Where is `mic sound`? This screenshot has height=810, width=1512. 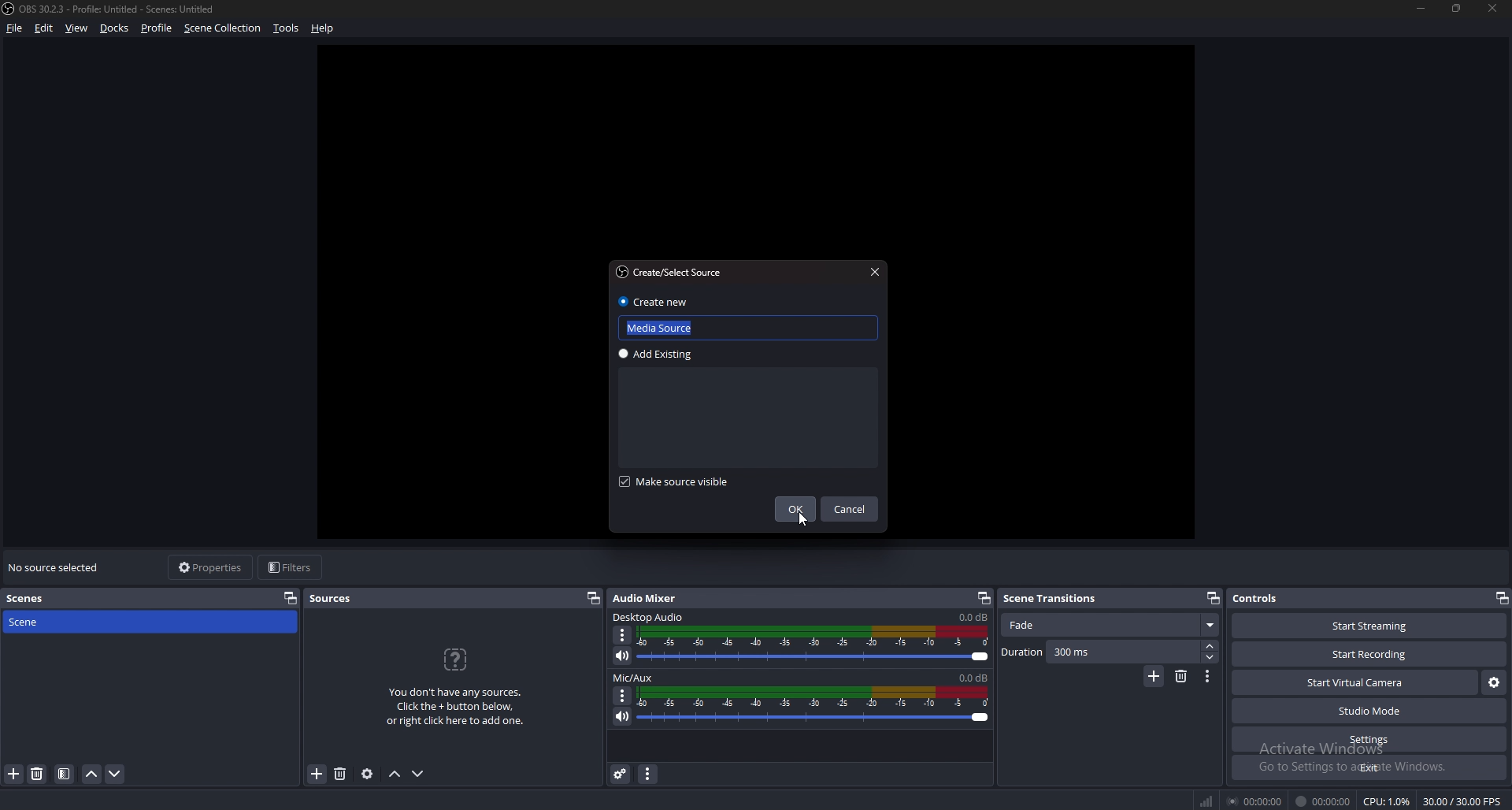 mic sound is located at coordinates (973, 676).